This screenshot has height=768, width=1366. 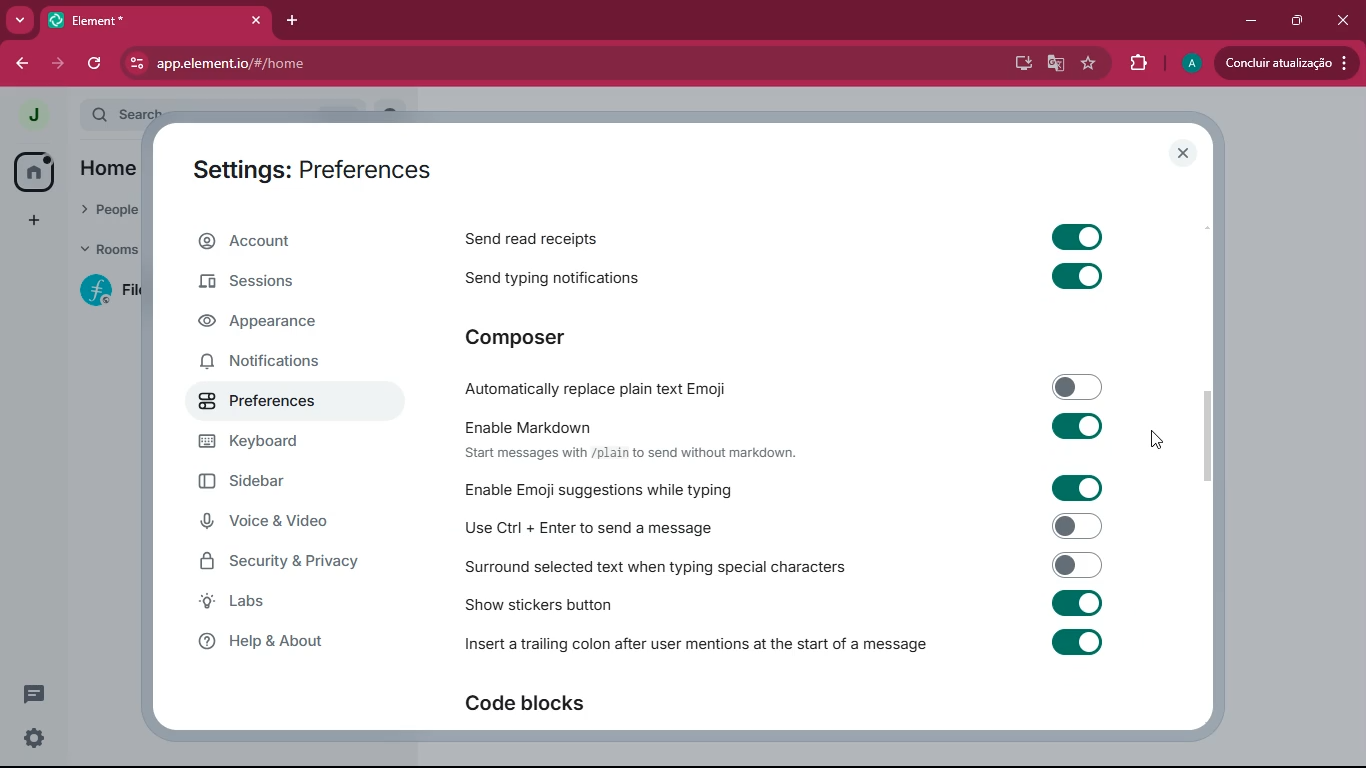 What do you see at coordinates (296, 561) in the screenshot?
I see `security` at bounding box center [296, 561].